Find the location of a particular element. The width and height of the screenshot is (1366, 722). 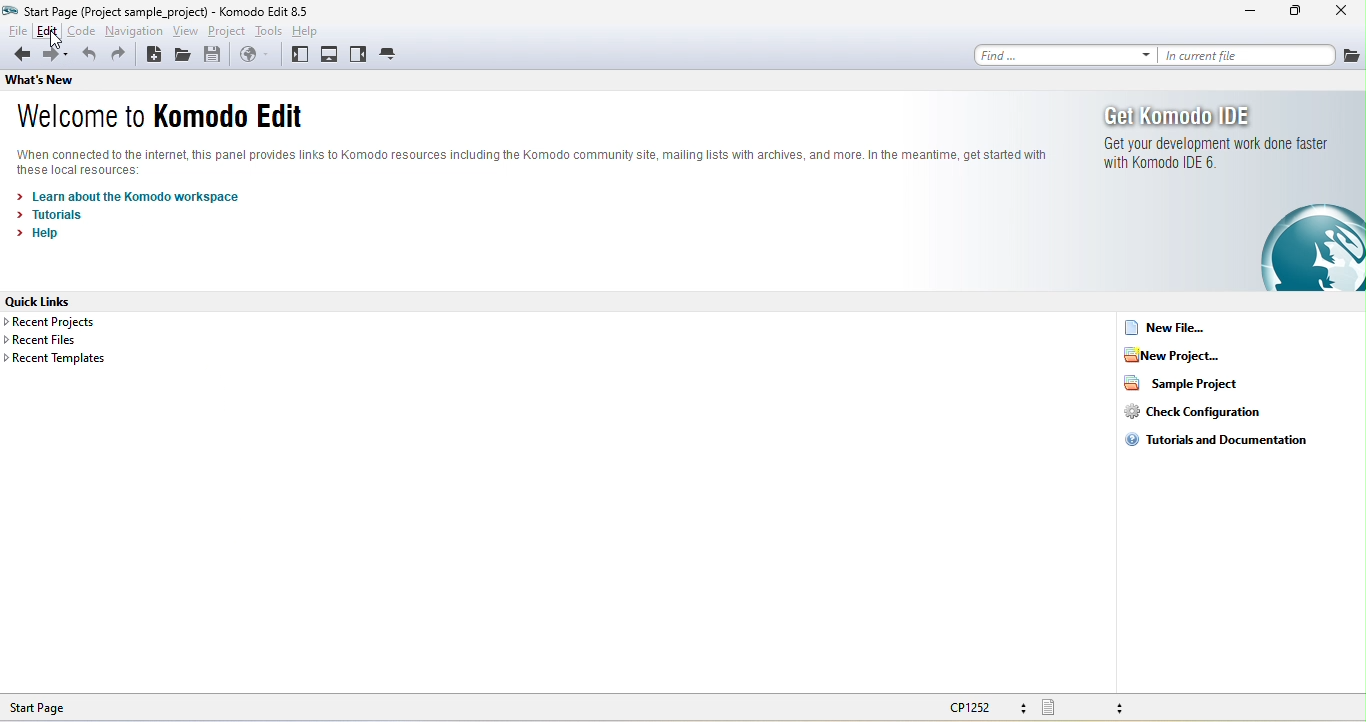

back is located at coordinates (18, 54).